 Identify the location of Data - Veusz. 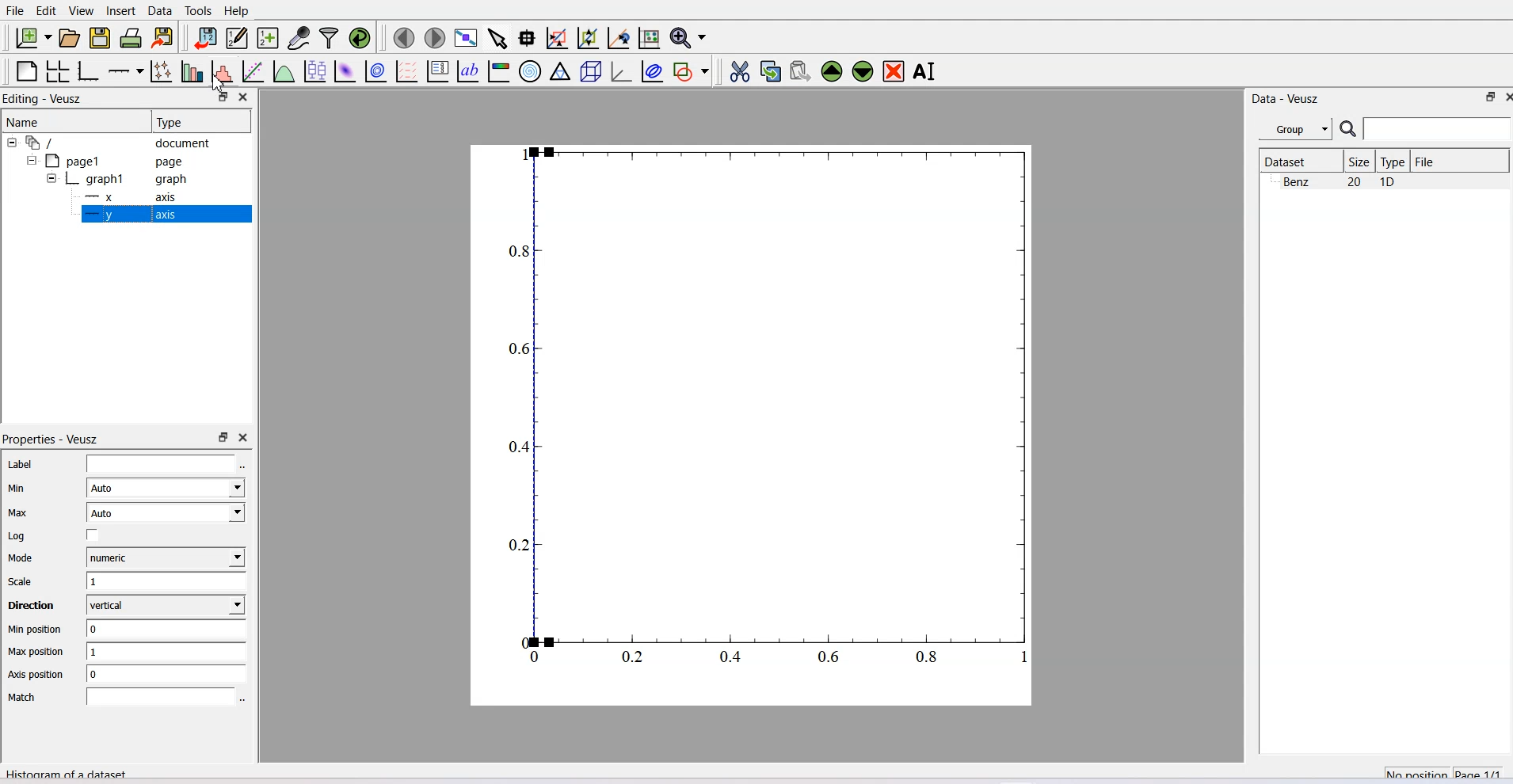
(1286, 100).